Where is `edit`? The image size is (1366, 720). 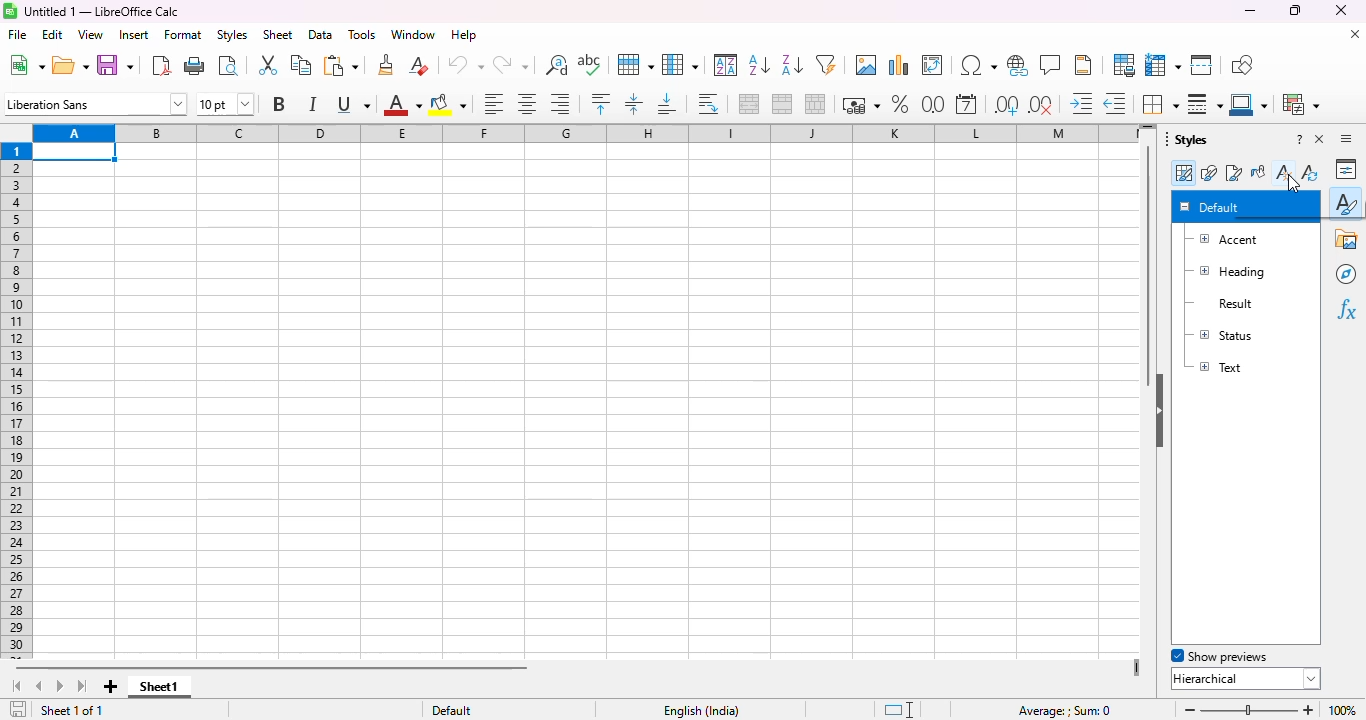 edit is located at coordinates (52, 35).